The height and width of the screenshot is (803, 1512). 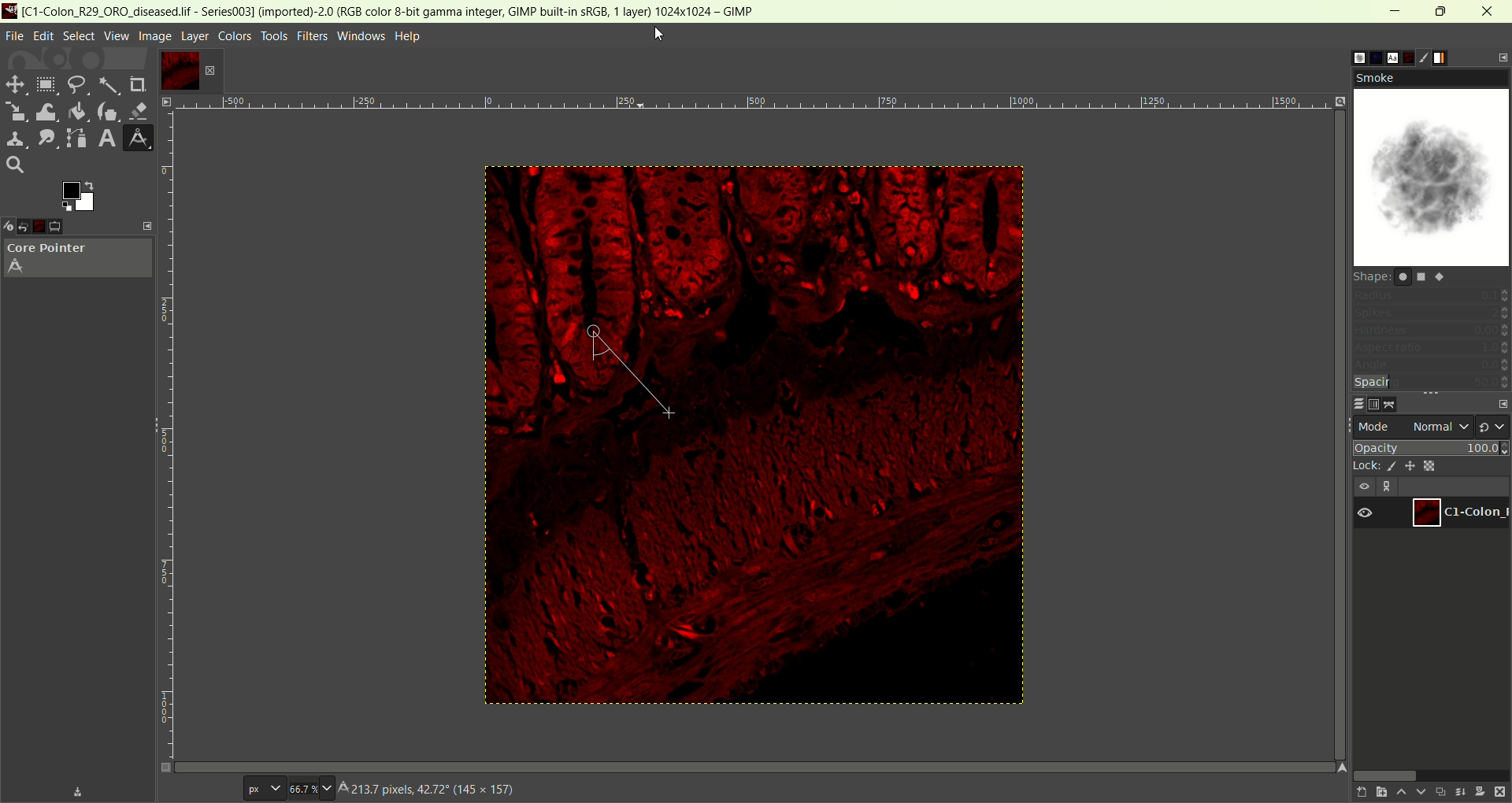 I want to click on active foreground/background color, so click(x=76, y=196).